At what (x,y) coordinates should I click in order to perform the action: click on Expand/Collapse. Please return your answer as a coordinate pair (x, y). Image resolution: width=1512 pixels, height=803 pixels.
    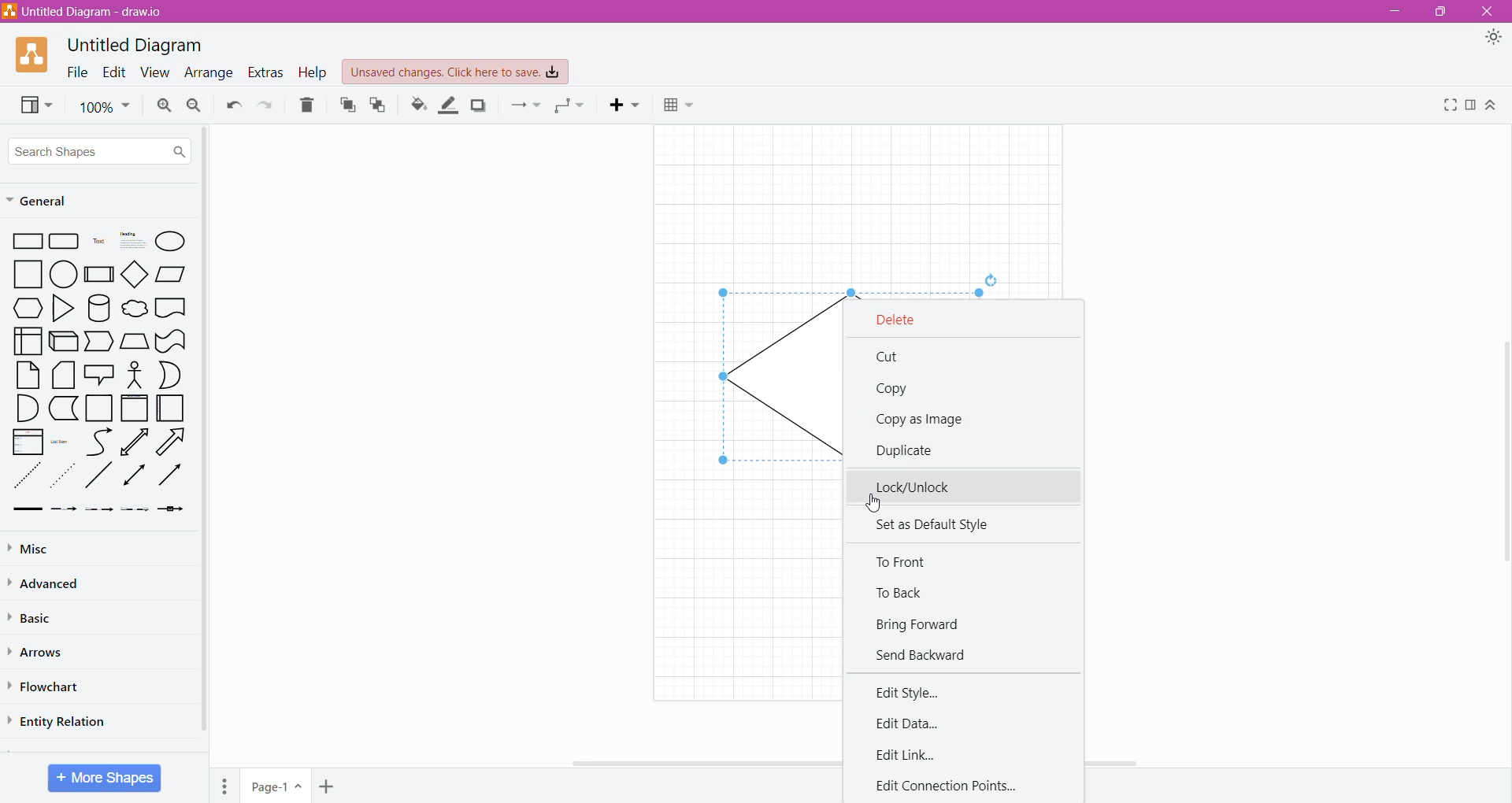
    Looking at the image, I should click on (1492, 105).